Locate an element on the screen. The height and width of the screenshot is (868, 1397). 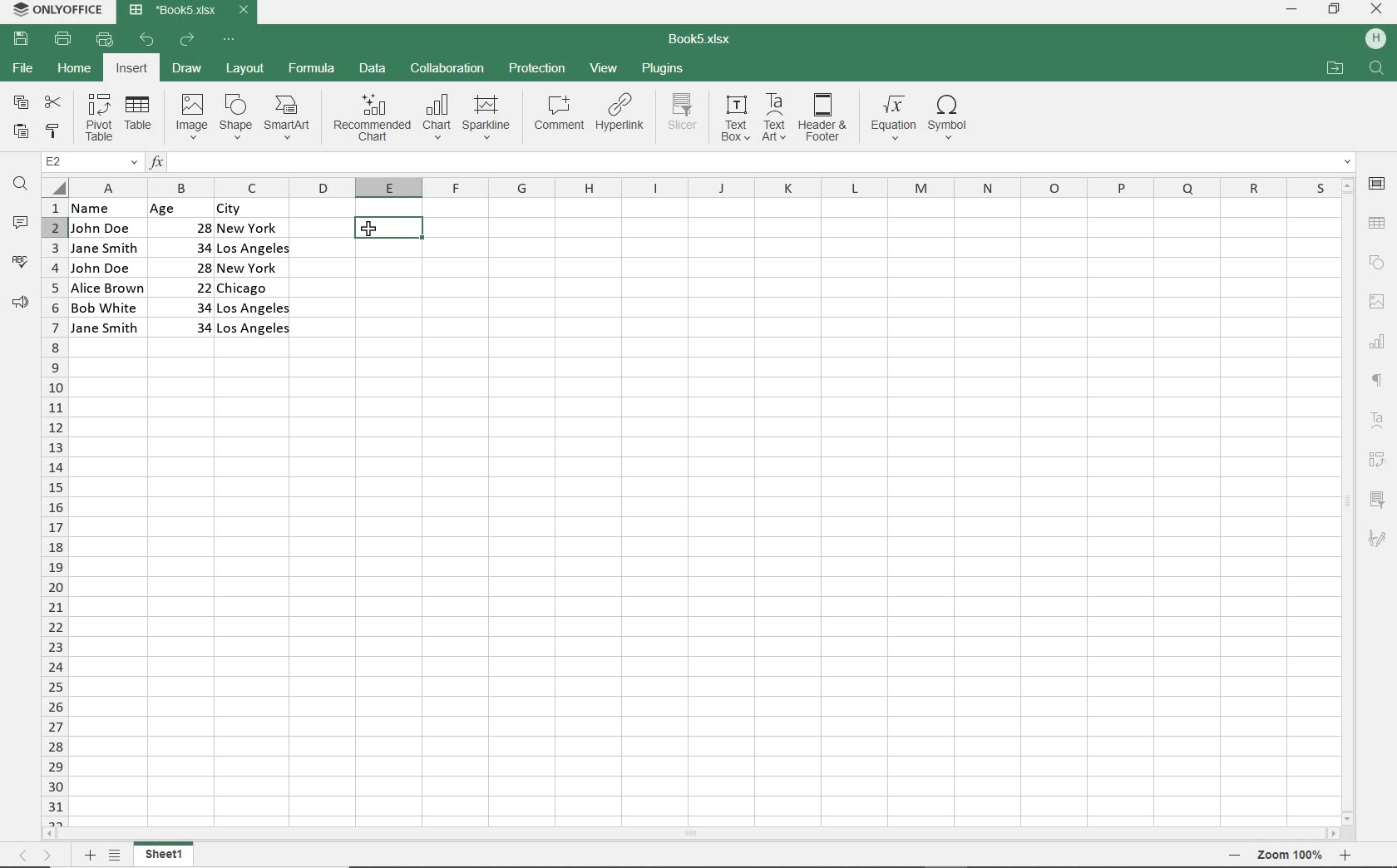
Jane Smith is located at coordinates (106, 328).